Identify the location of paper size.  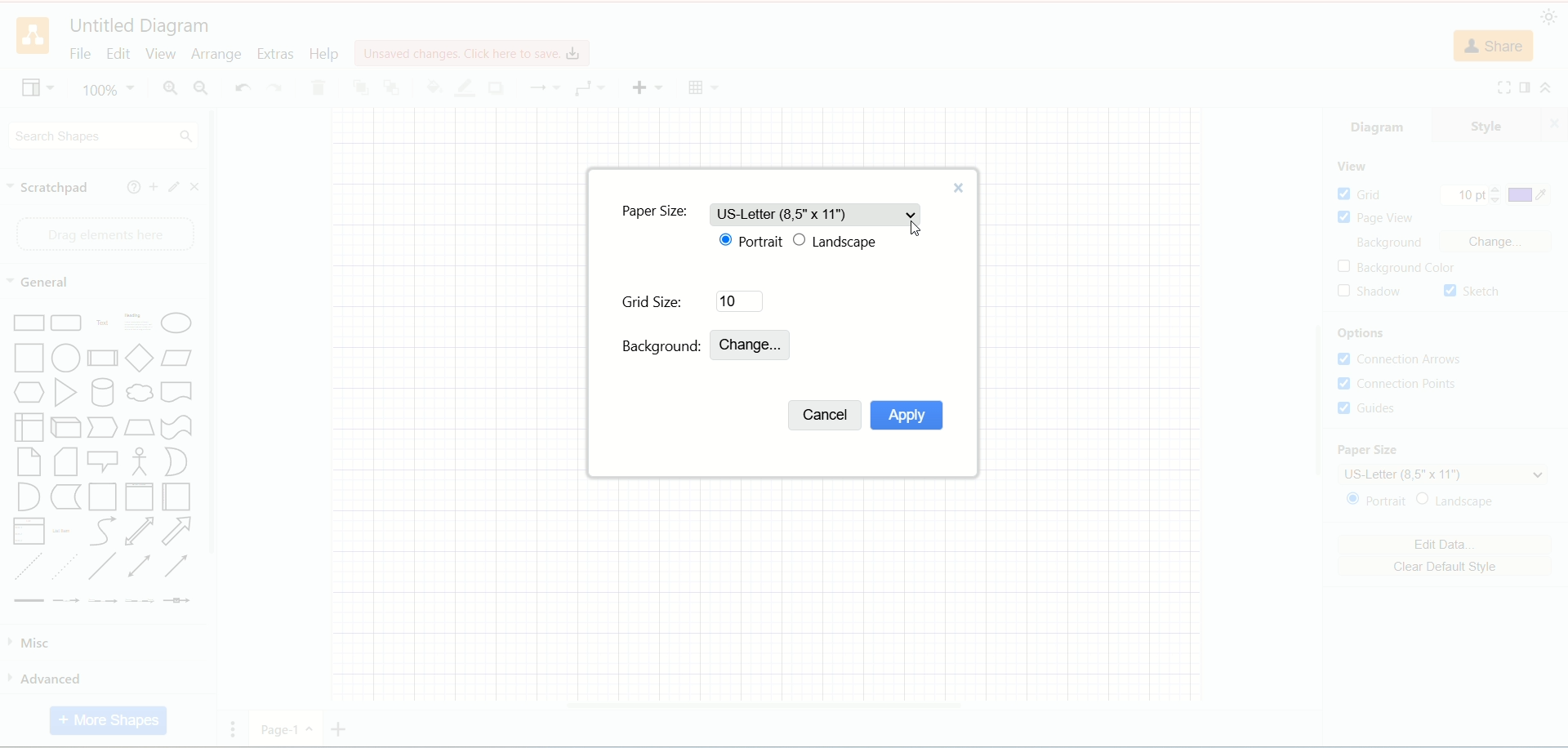
(656, 215).